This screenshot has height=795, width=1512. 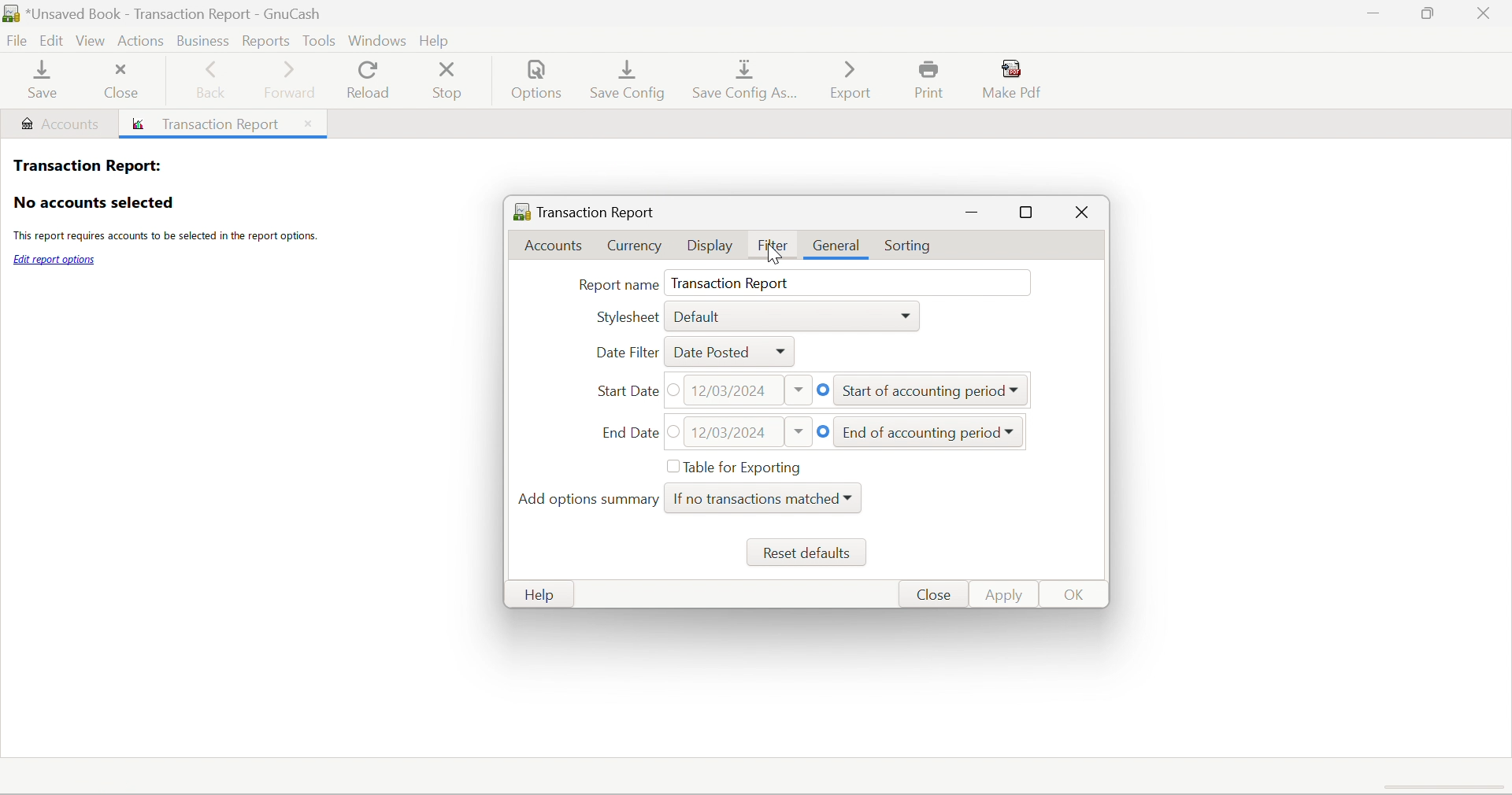 What do you see at coordinates (746, 466) in the screenshot?
I see `Table for Exporting` at bounding box center [746, 466].